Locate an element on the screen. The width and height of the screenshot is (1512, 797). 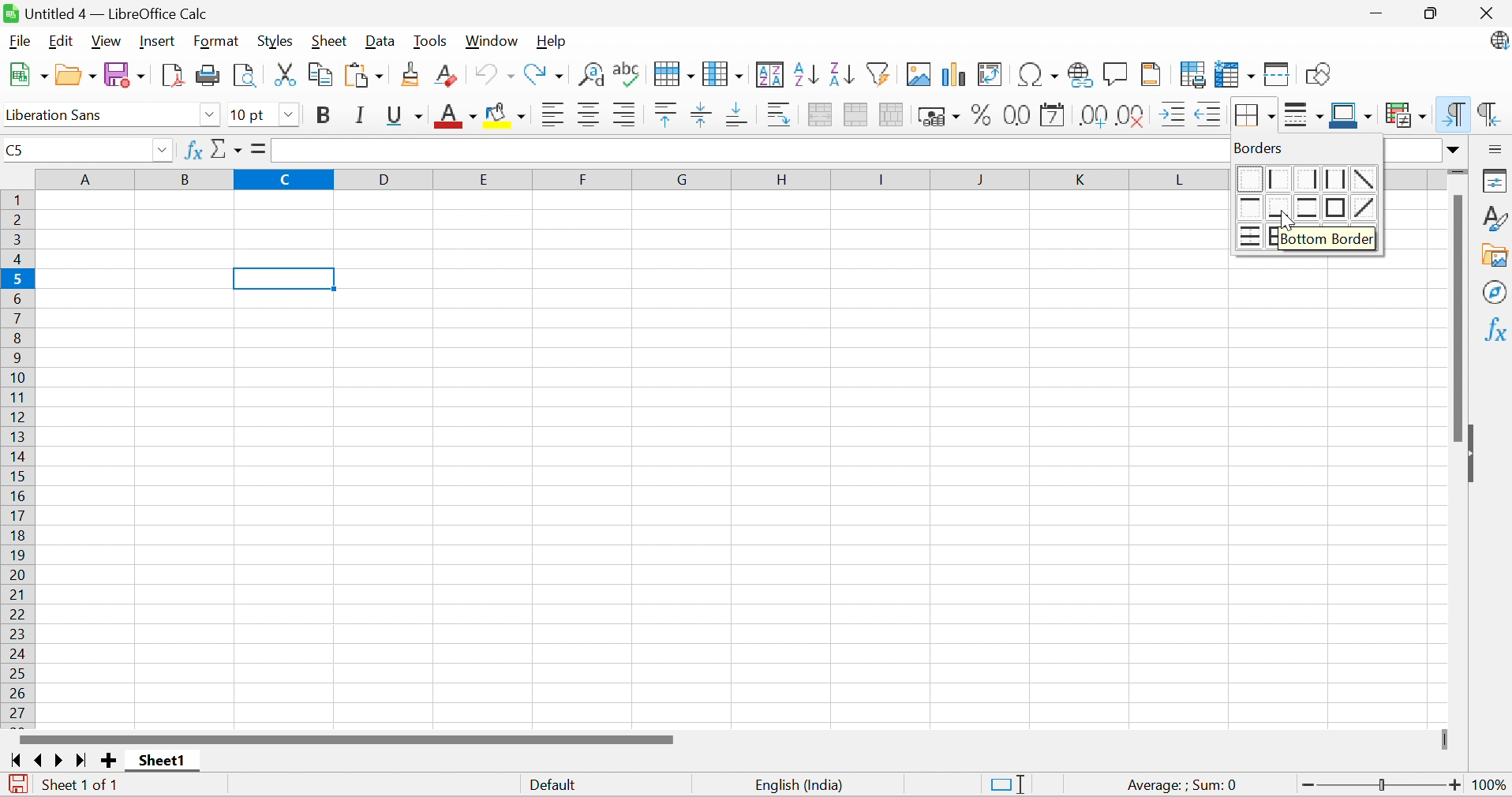
Insert hyperlink is located at coordinates (1077, 75).